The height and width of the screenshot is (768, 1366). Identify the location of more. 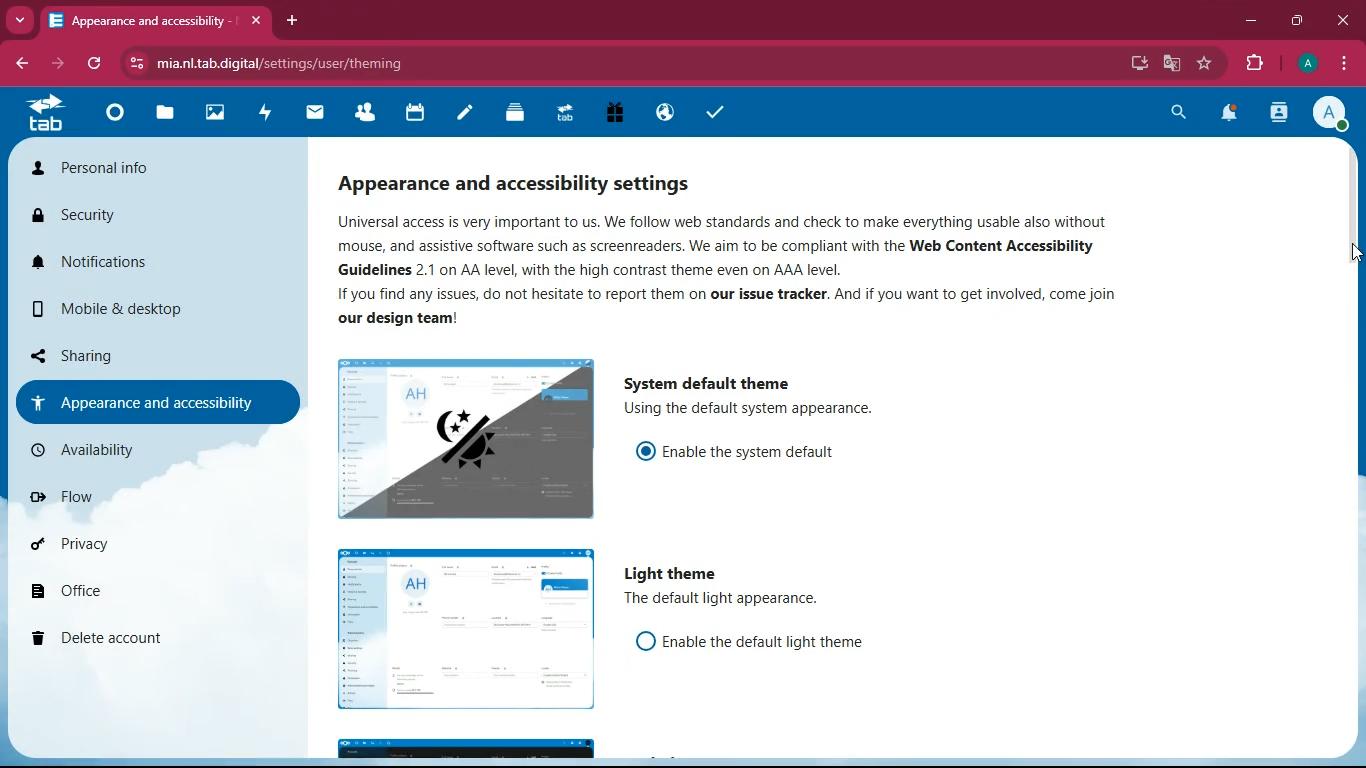
(19, 21).